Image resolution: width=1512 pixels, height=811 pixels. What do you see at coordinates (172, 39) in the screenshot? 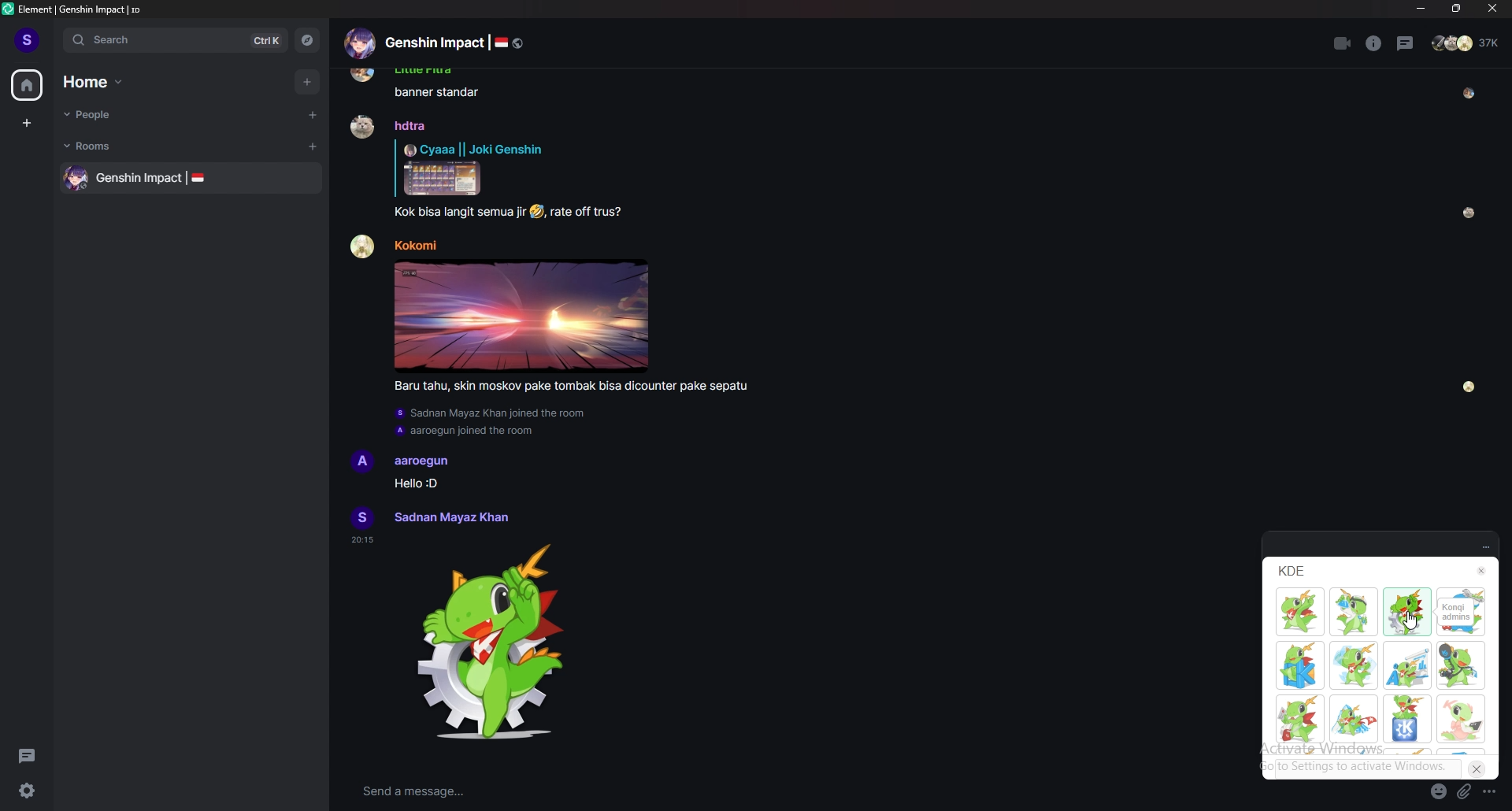
I see `search` at bounding box center [172, 39].